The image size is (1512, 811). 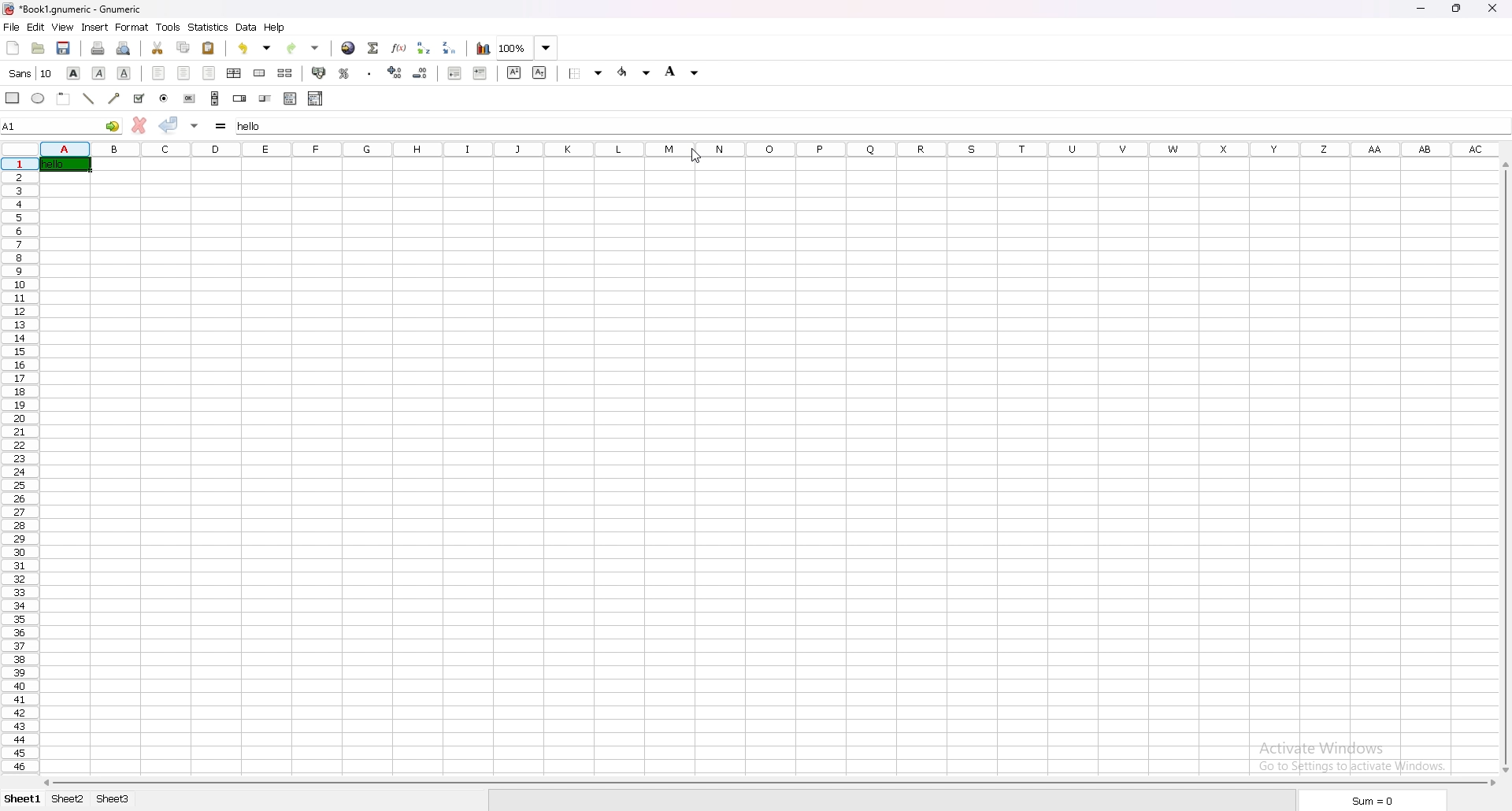 I want to click on subscript, so click(x=539, y=72).